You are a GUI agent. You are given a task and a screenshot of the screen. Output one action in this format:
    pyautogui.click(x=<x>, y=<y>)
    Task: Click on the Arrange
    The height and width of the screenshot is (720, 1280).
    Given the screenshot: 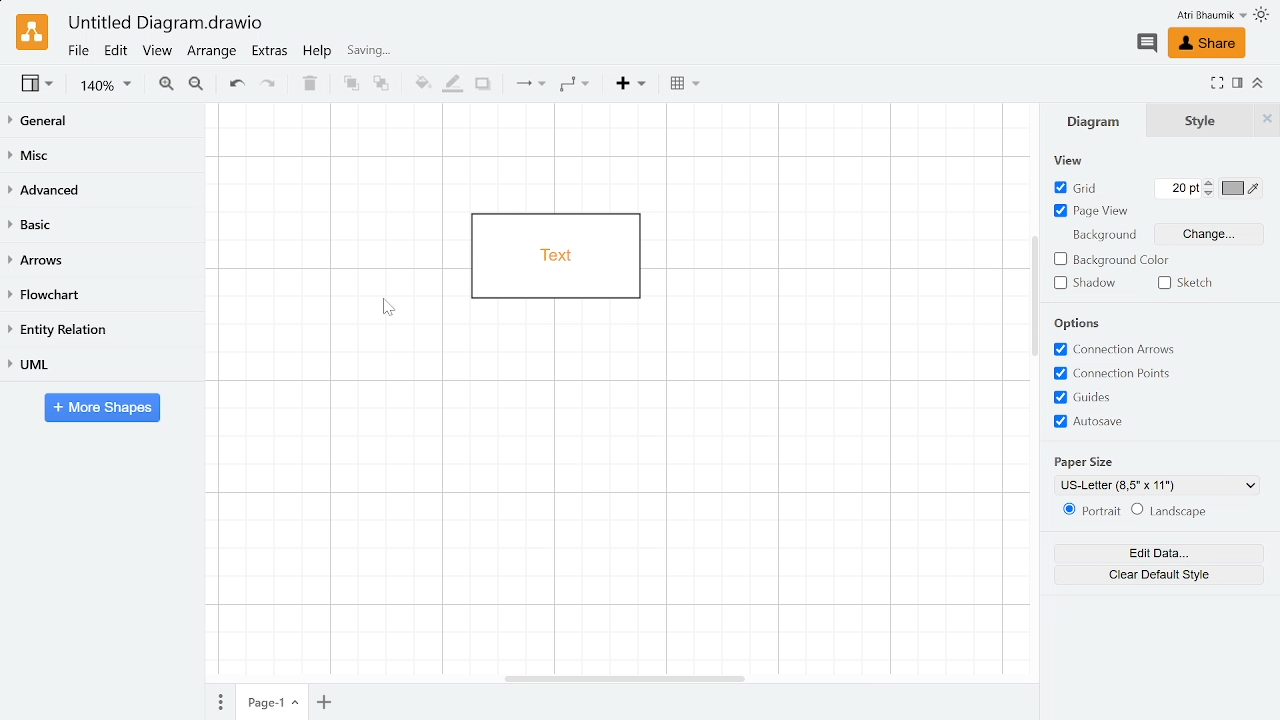 What is the action you would take?
    pyautogui.click(x=213, y=53)
    